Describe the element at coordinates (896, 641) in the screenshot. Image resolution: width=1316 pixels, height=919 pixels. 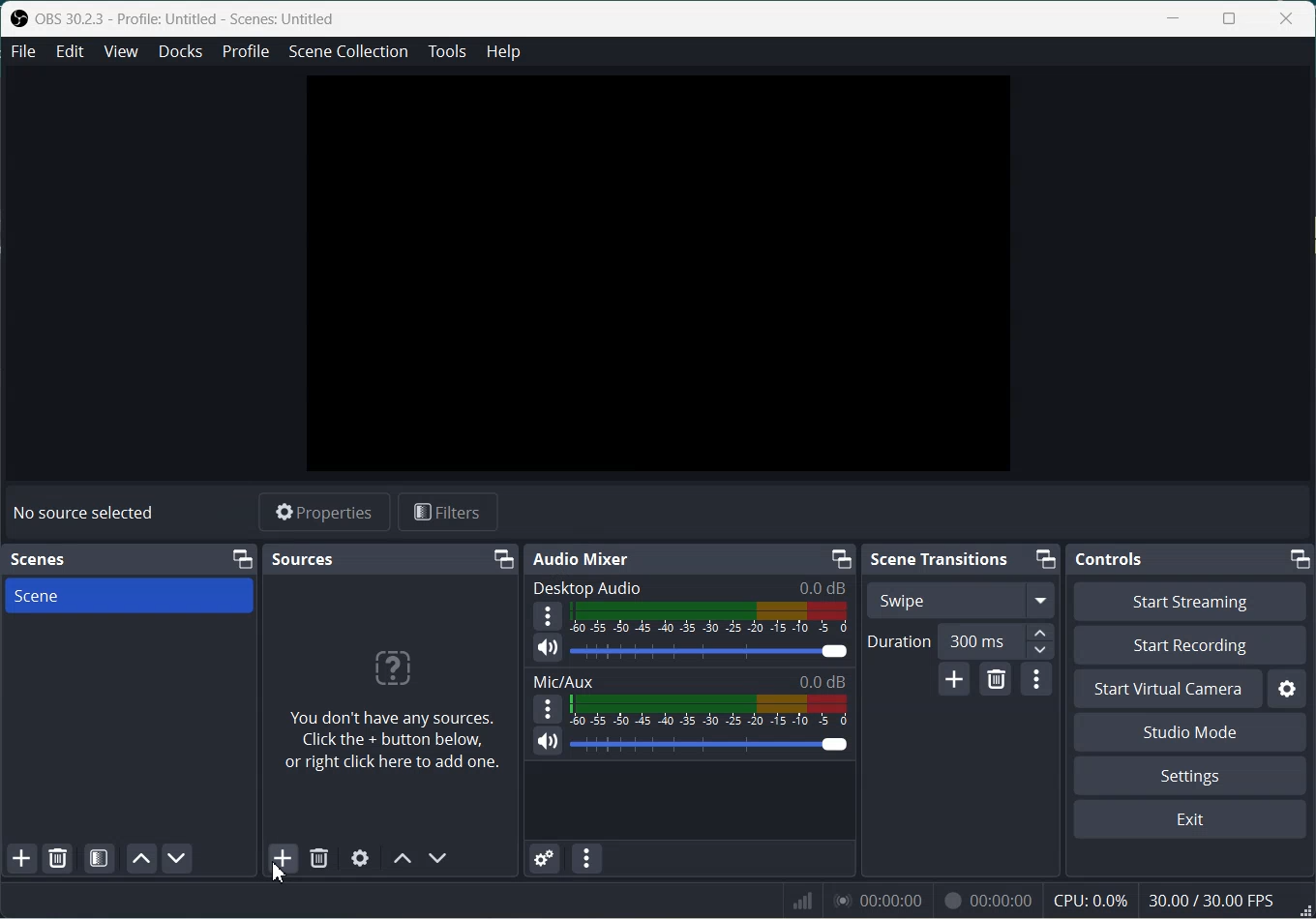
I see `Duration` at that location.